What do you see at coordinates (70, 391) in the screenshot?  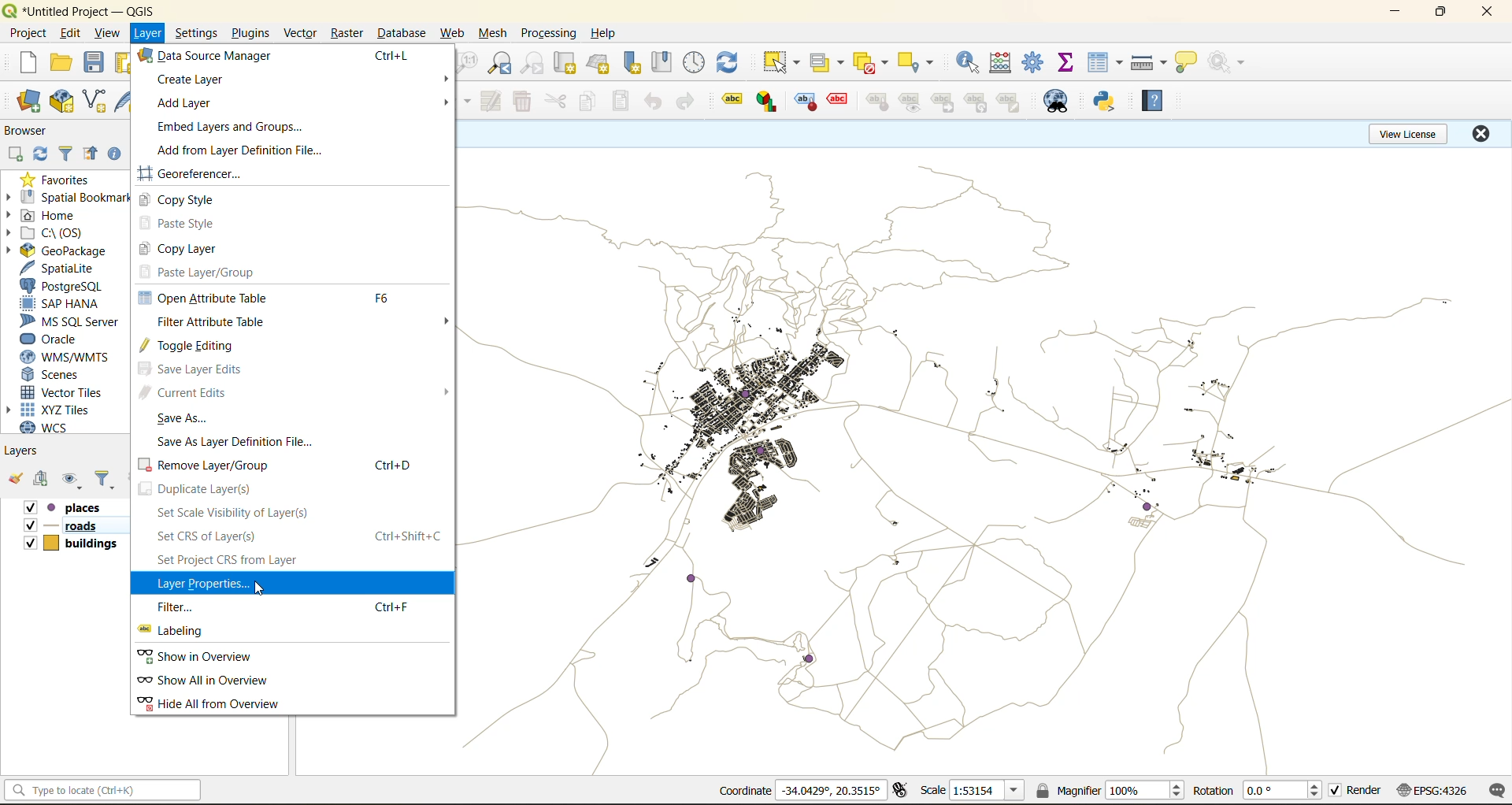 I see `vector tiles` at bounding box center [70, 391].